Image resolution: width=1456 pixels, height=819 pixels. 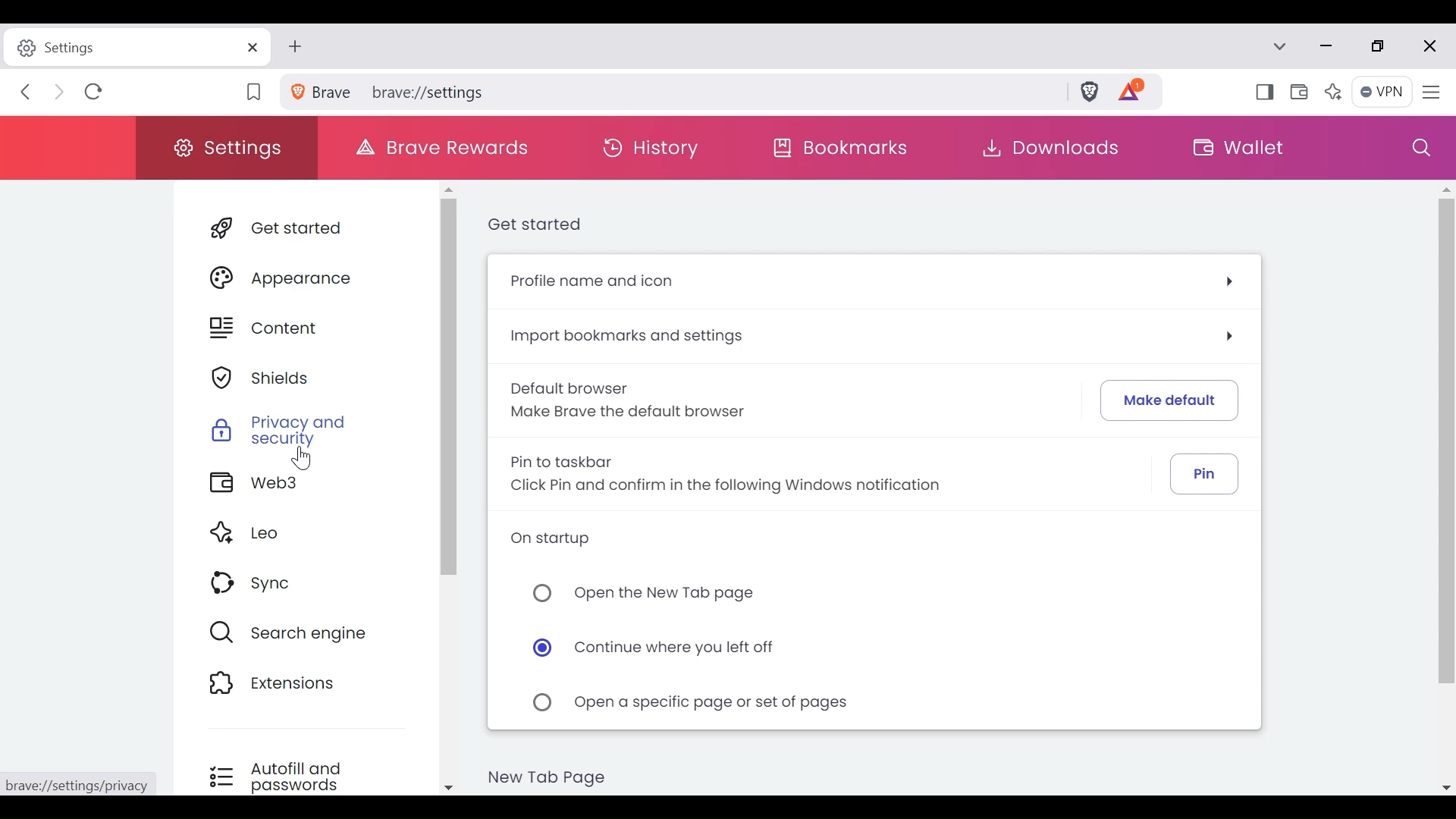 What do you see at coordinates (1420, 148) in the screenshot?
I see `Search settings` at bounding box center [1420, 148].